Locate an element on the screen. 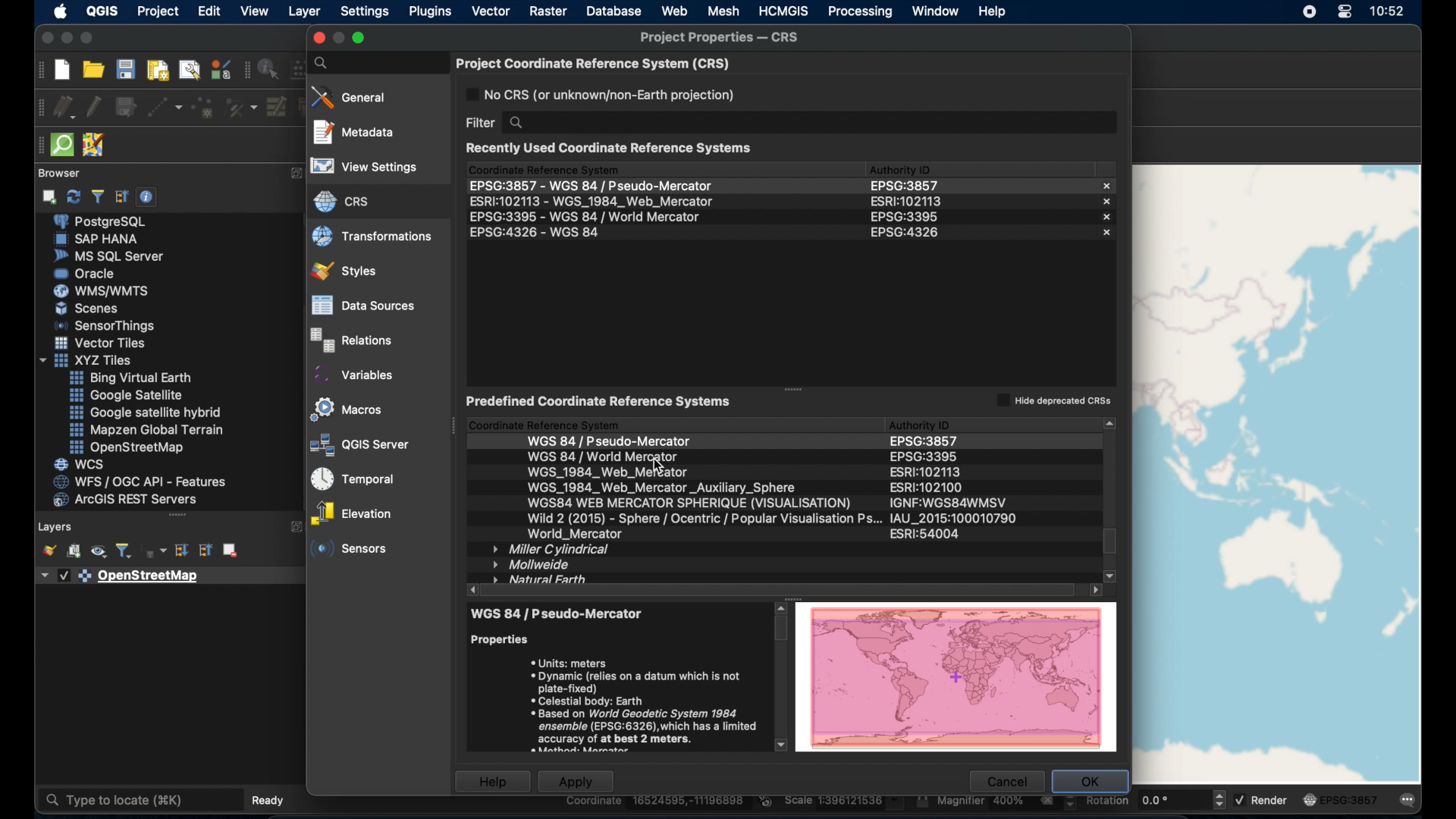  wfs/ogc api - features is located at coordinates (140, 482).